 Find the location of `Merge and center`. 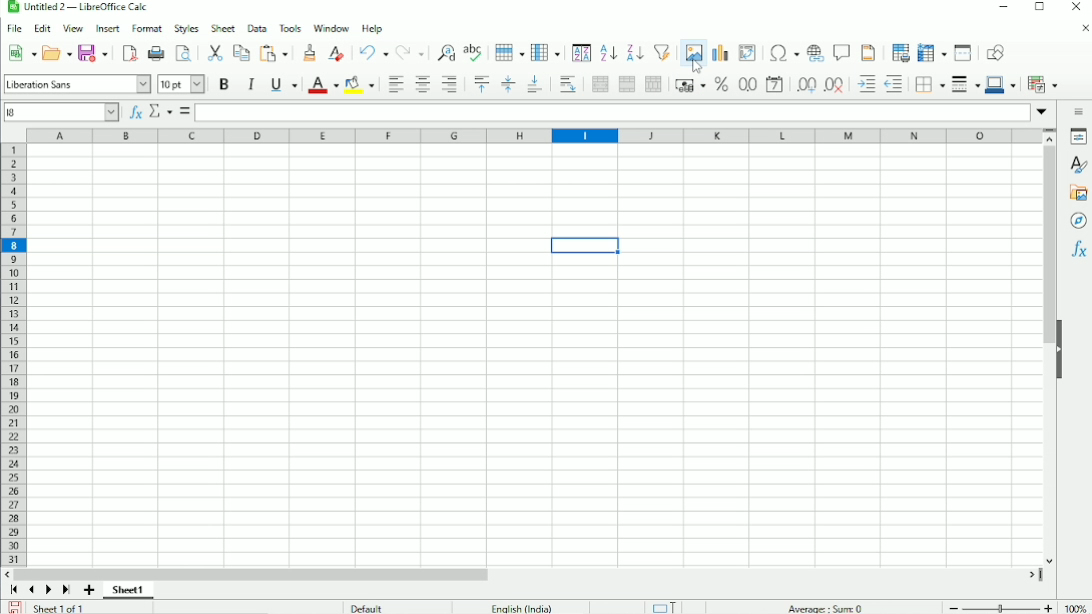

Merge and center is located at coordinates (600, 84).